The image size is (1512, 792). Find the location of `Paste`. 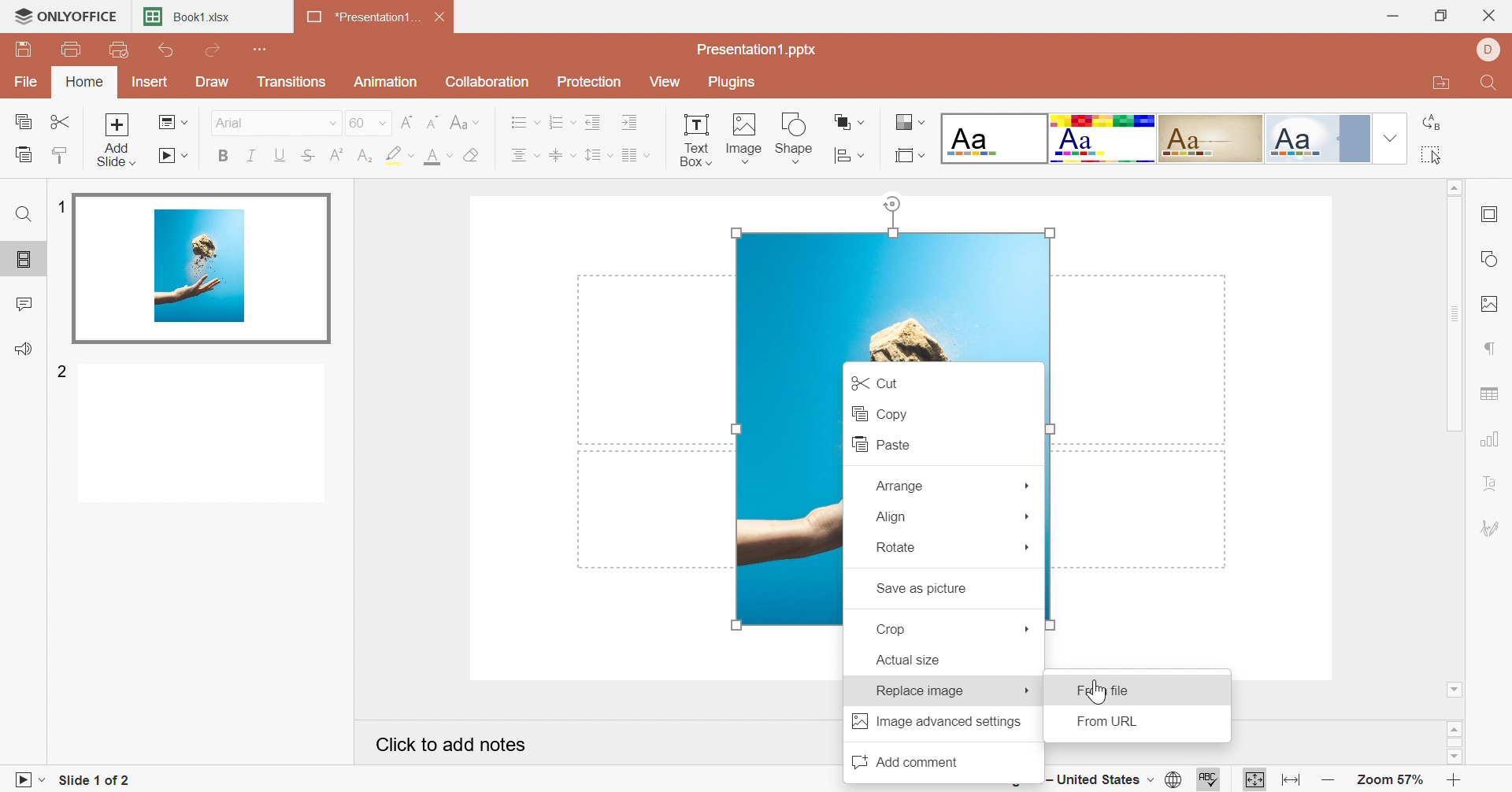

Paste is located at coordinates (22, 154).